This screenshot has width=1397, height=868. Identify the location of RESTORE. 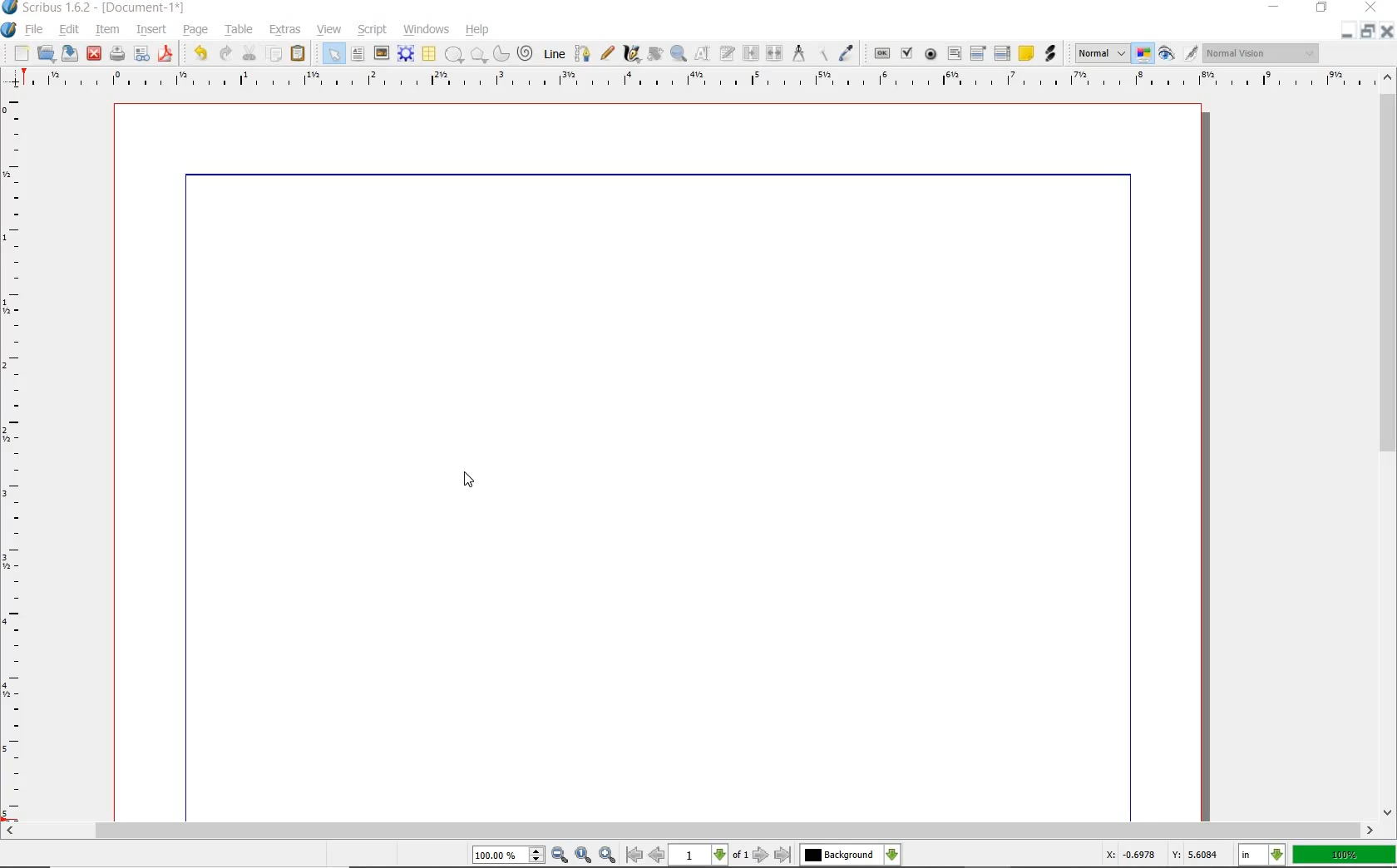
(1368, 32).